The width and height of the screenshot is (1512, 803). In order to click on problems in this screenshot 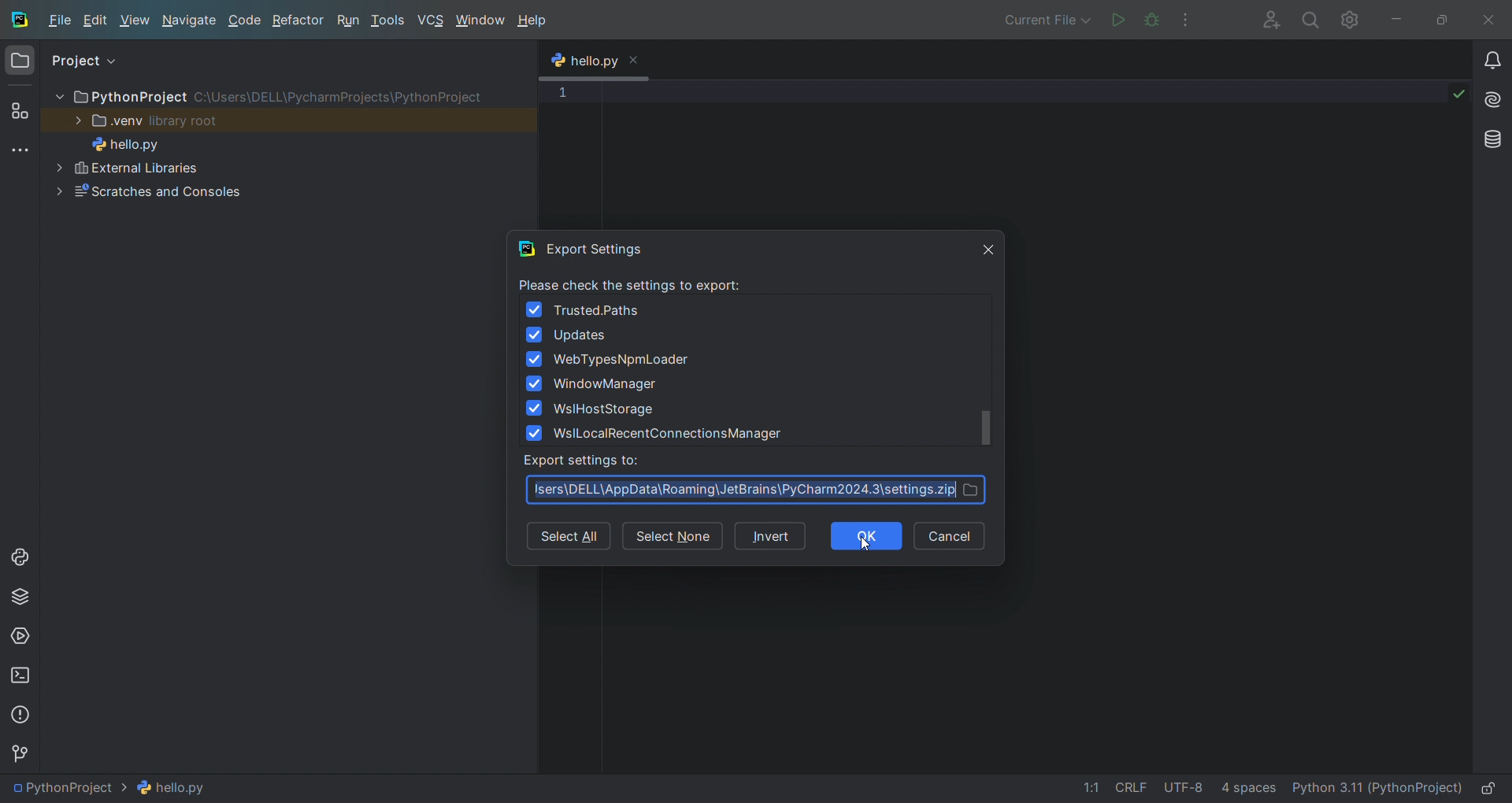, I will do `click(20, 716)`.